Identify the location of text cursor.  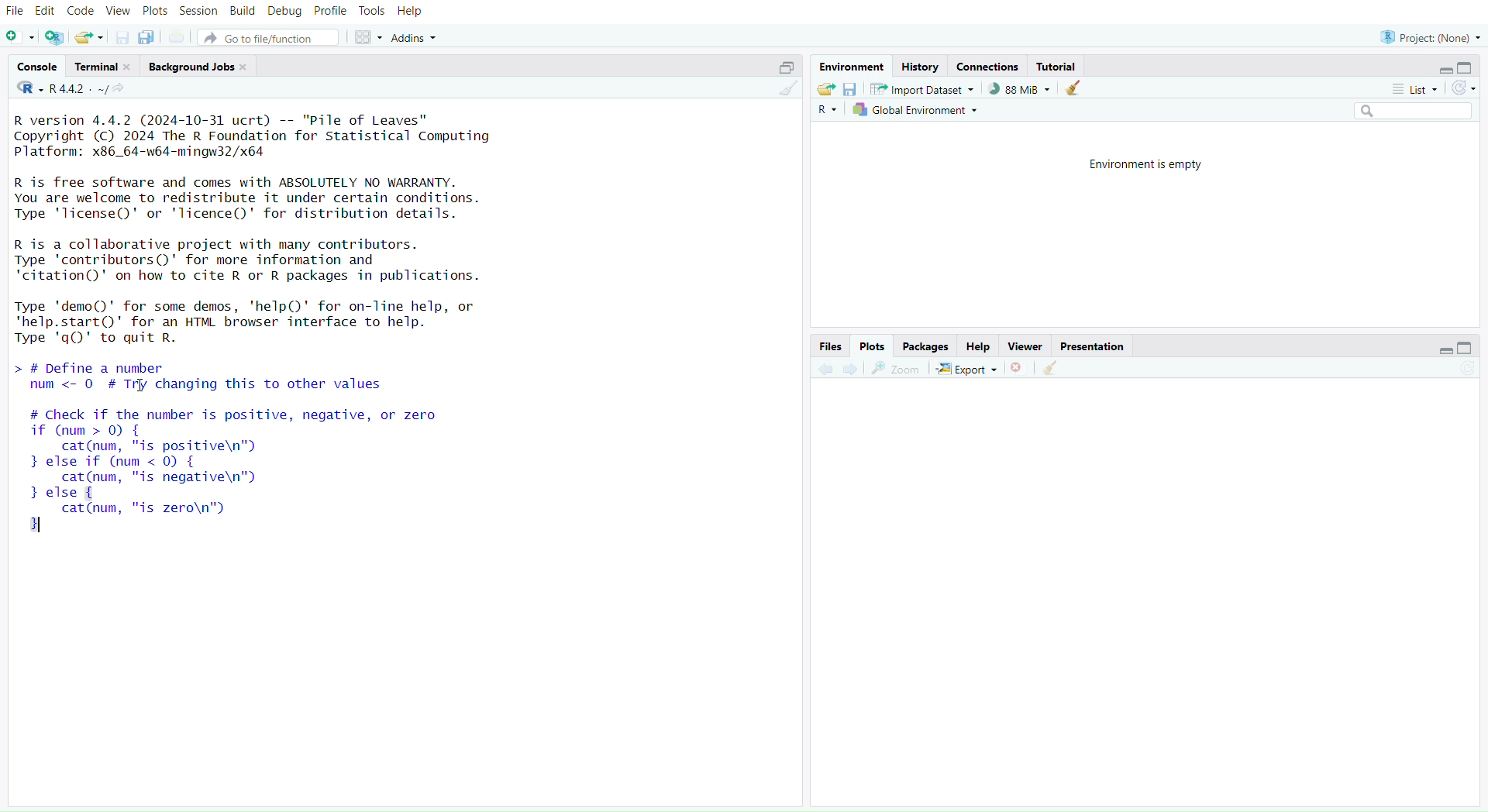
(45, 525).